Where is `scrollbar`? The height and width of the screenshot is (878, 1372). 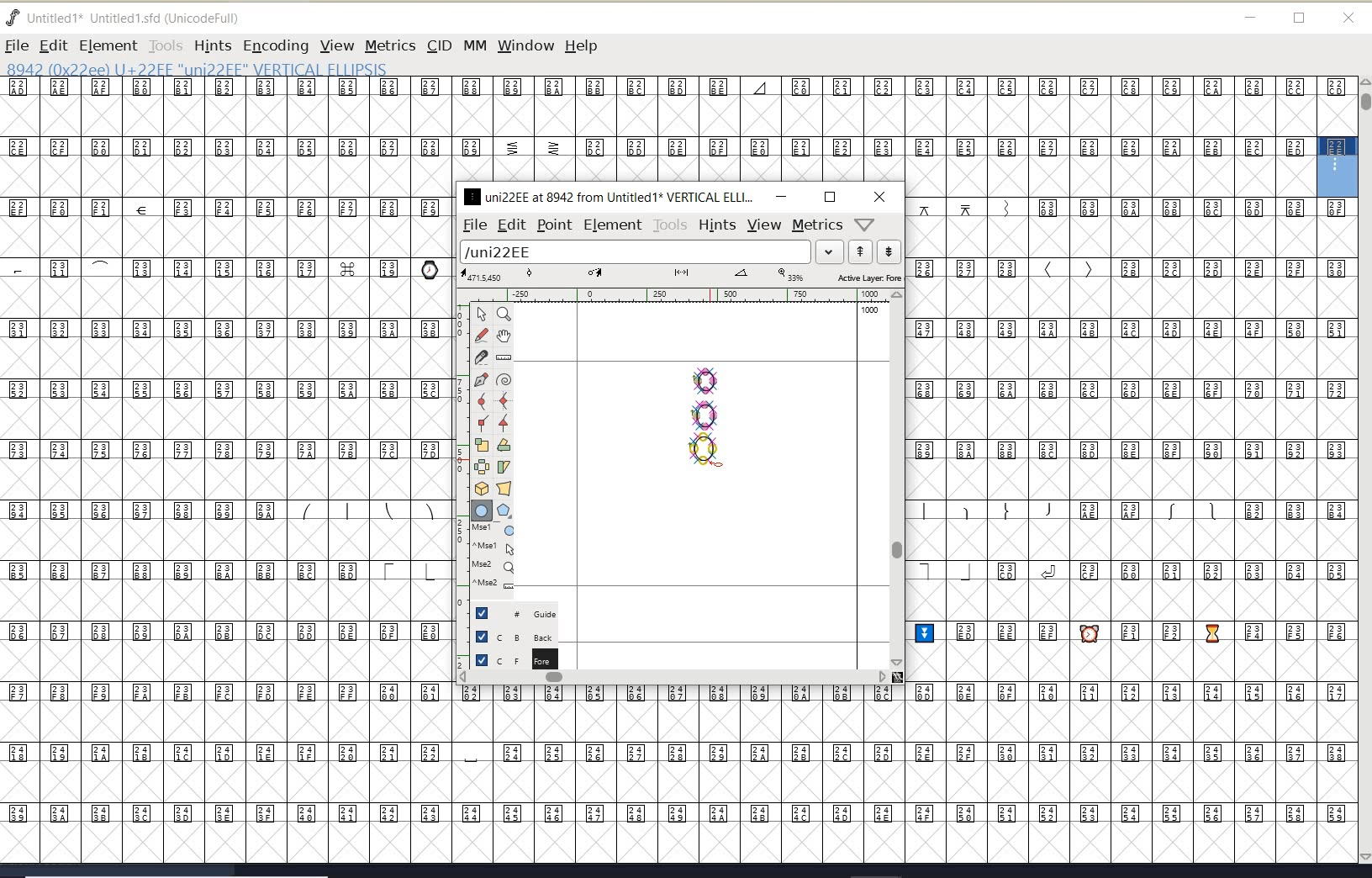 scrollbar is located at coordinates (895, 479).